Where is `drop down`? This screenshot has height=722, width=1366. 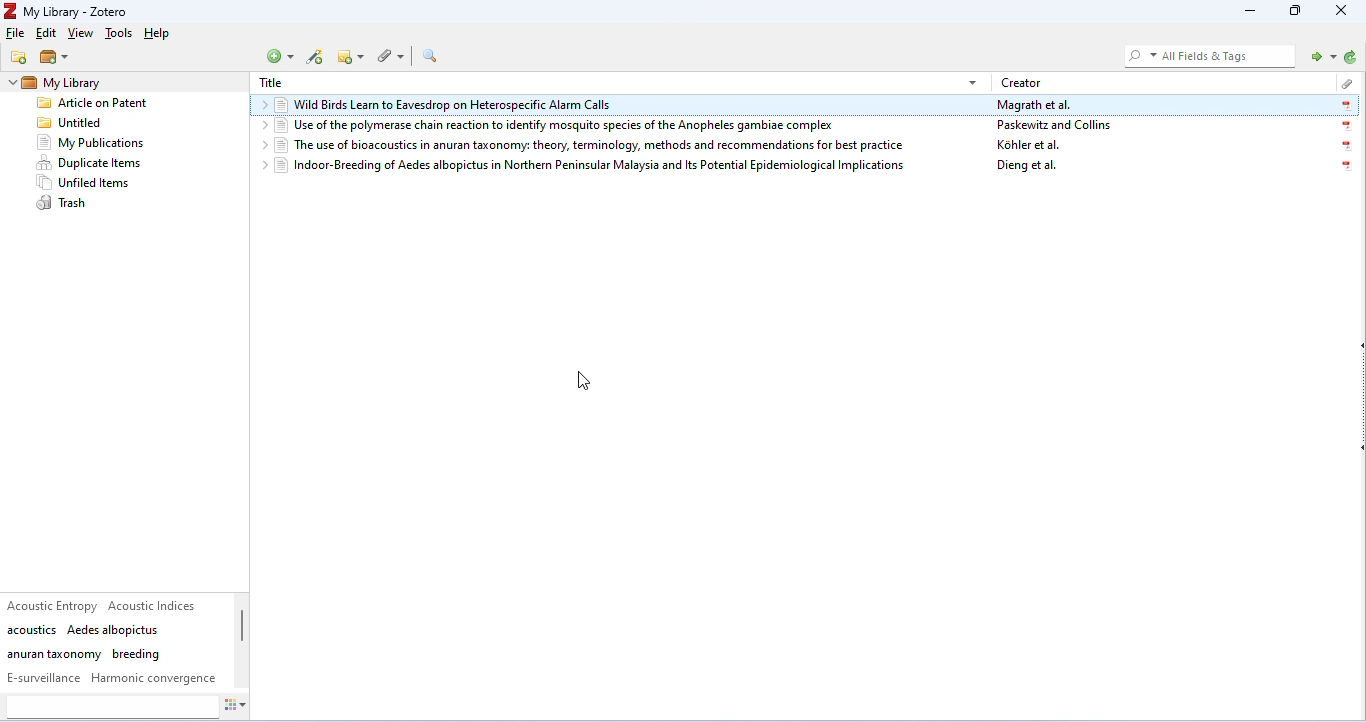 drop down is located at coordinates (262, 143).